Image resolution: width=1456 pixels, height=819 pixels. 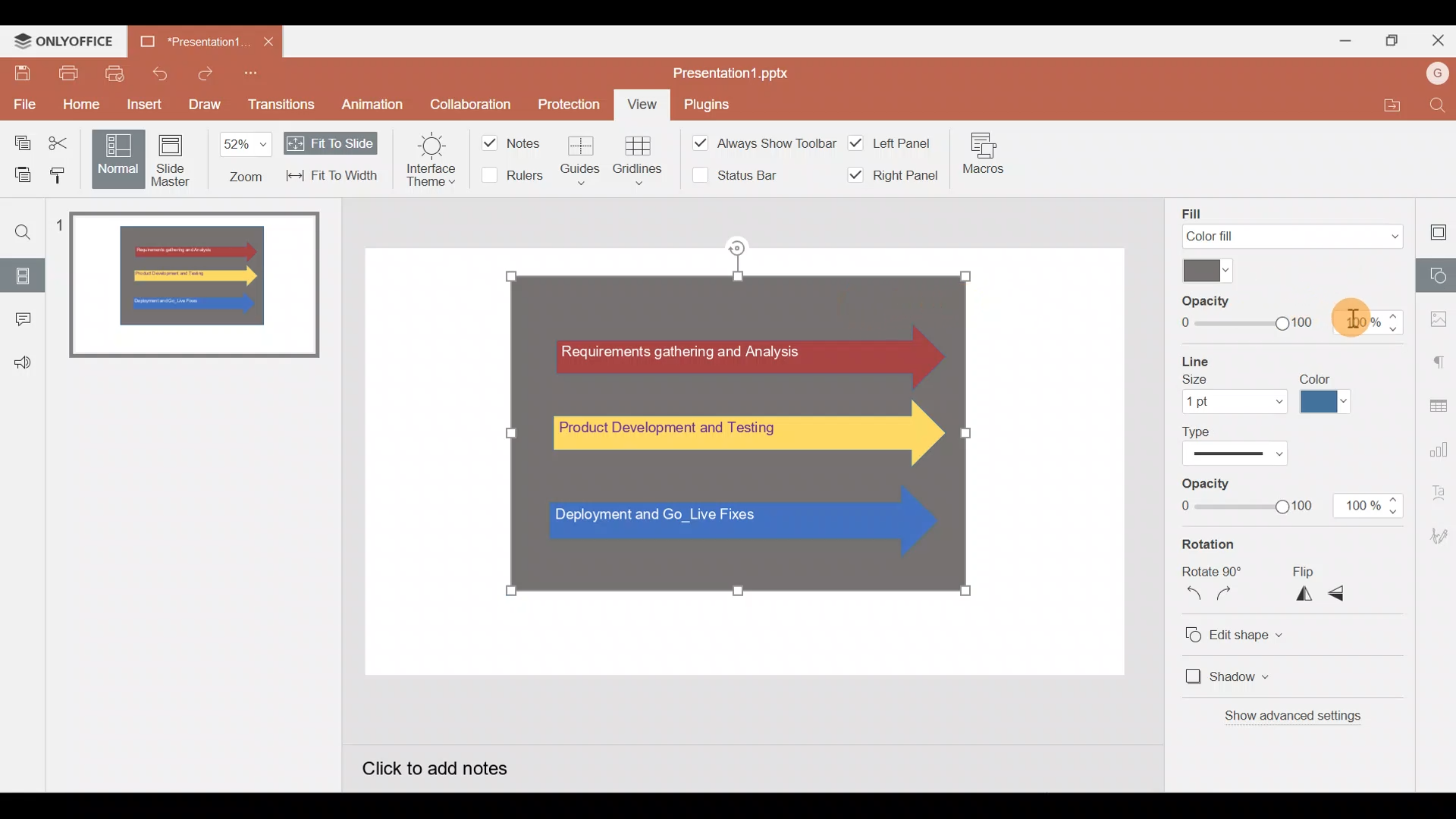 What do you see at coordinates (1230, 546) in the screenshot?
I see `Rotation` at bounding box center [1230, 546].